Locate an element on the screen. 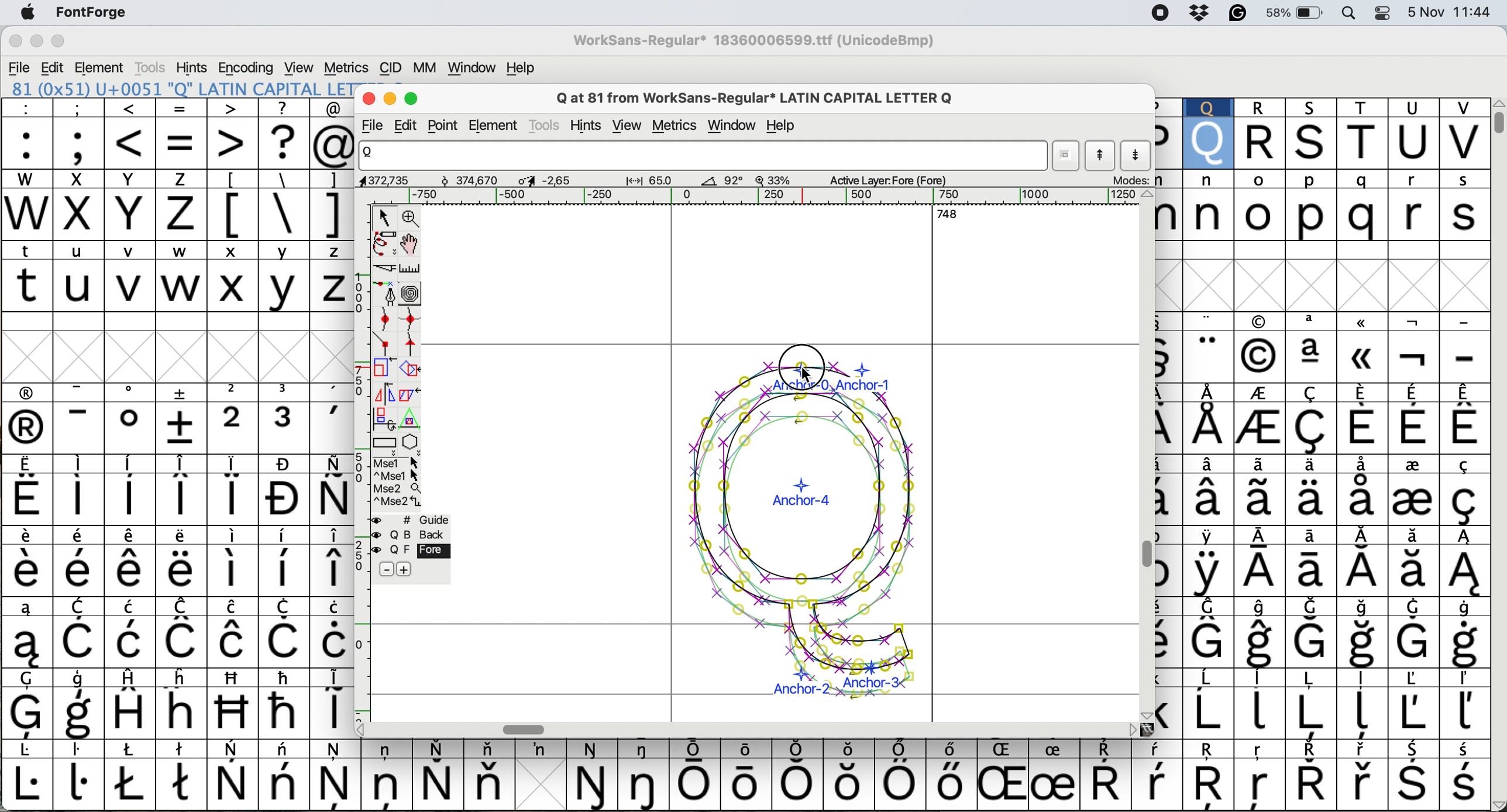  lowercase letters is located at coordinates (180, 253).